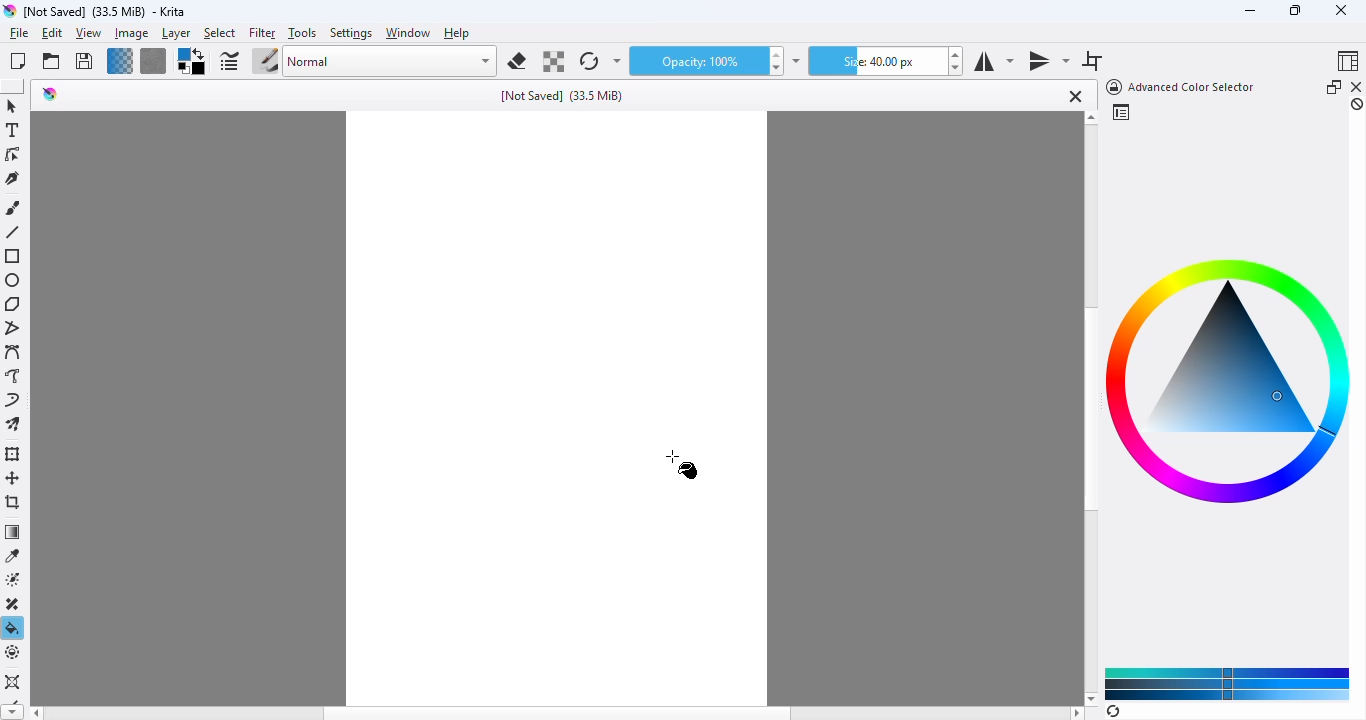 Image resolution: width=1366 pixels, height=720 pixels. What do you see at coordinates (13, 130) in the screenshot?
I see `text tool` at bounding box center [13, 130].